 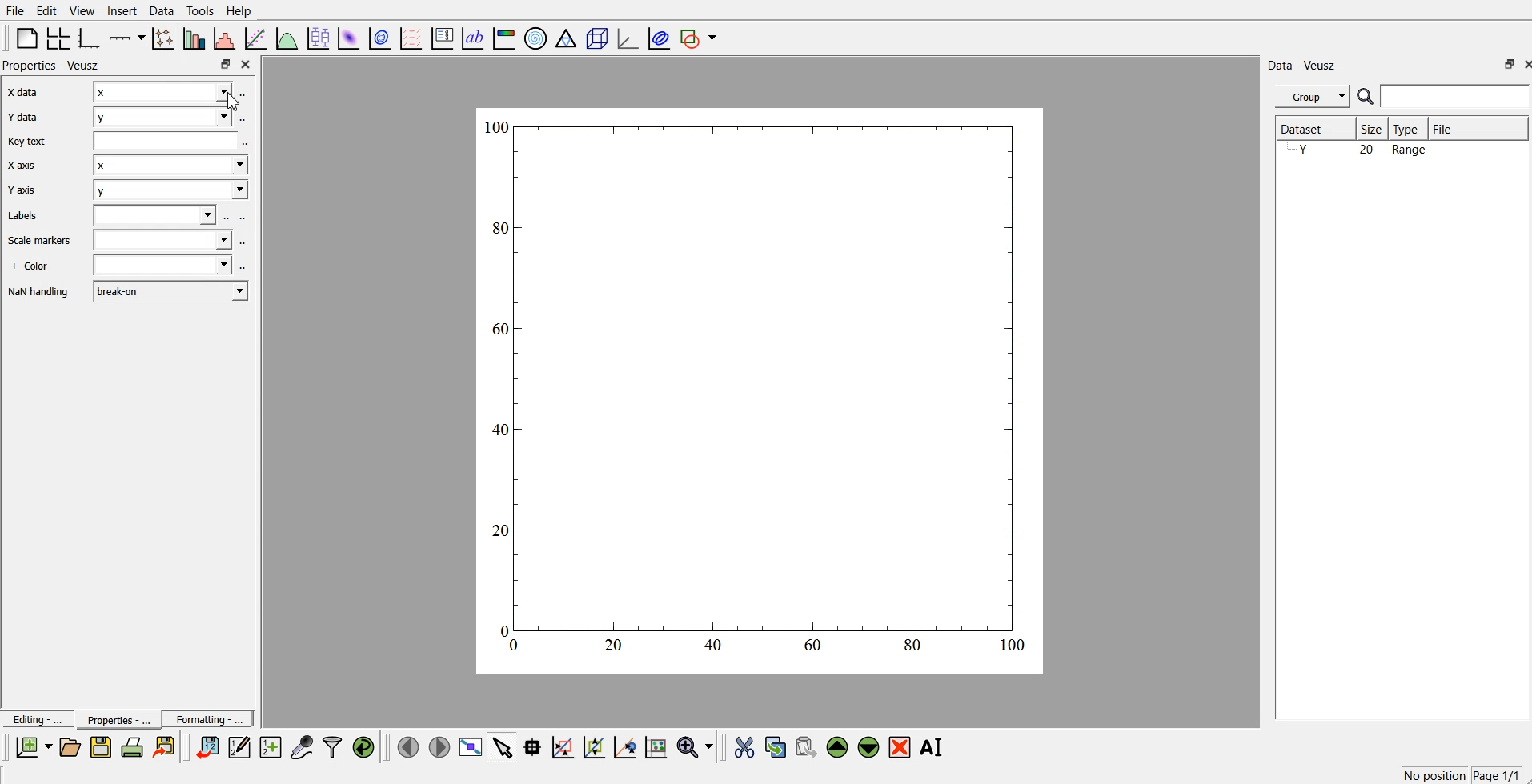 I want to click on polar graph, so click(x=537, y=37).